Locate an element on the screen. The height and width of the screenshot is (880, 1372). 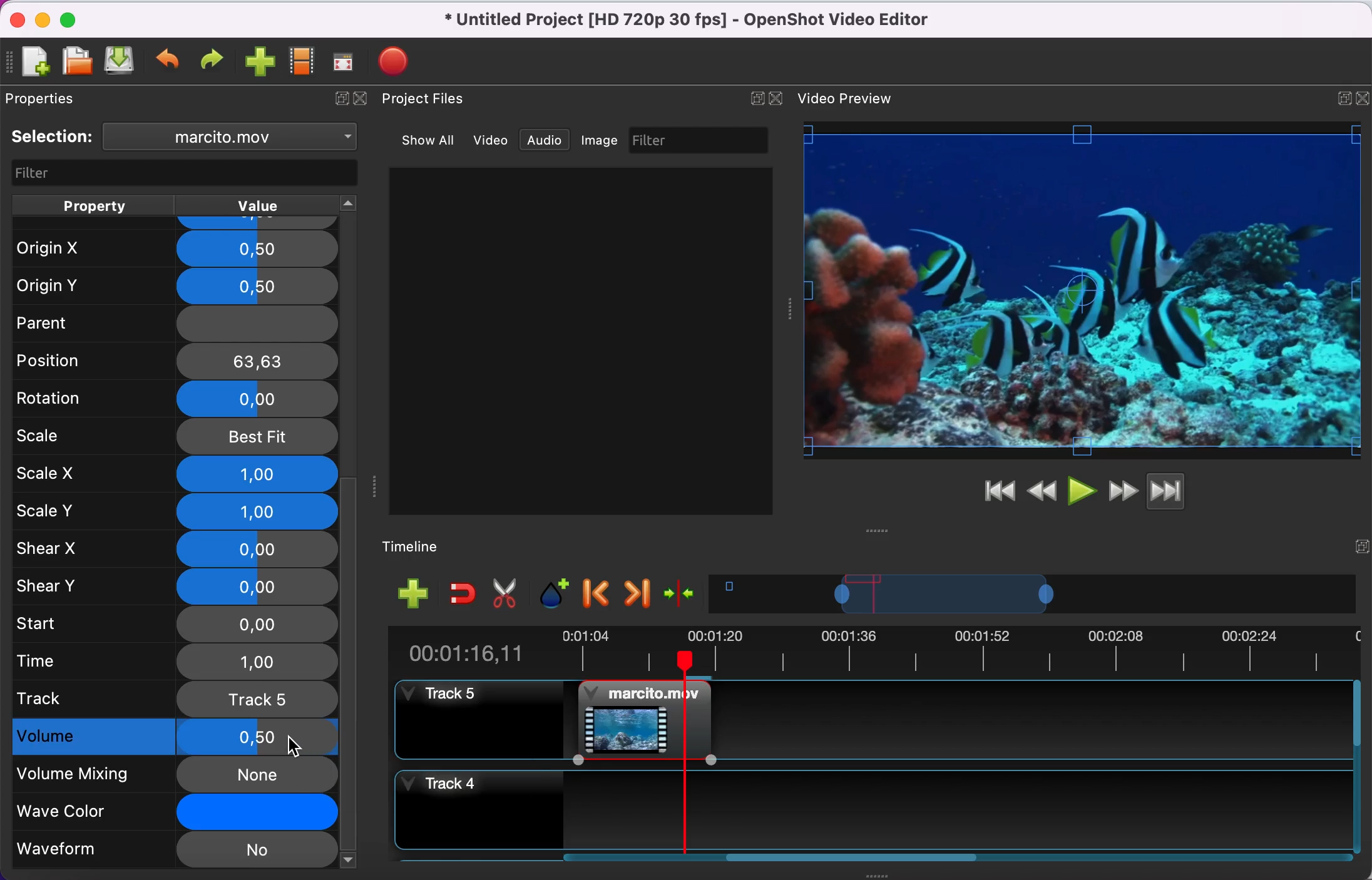
shear y 0 is located at coordinates (176, 586).